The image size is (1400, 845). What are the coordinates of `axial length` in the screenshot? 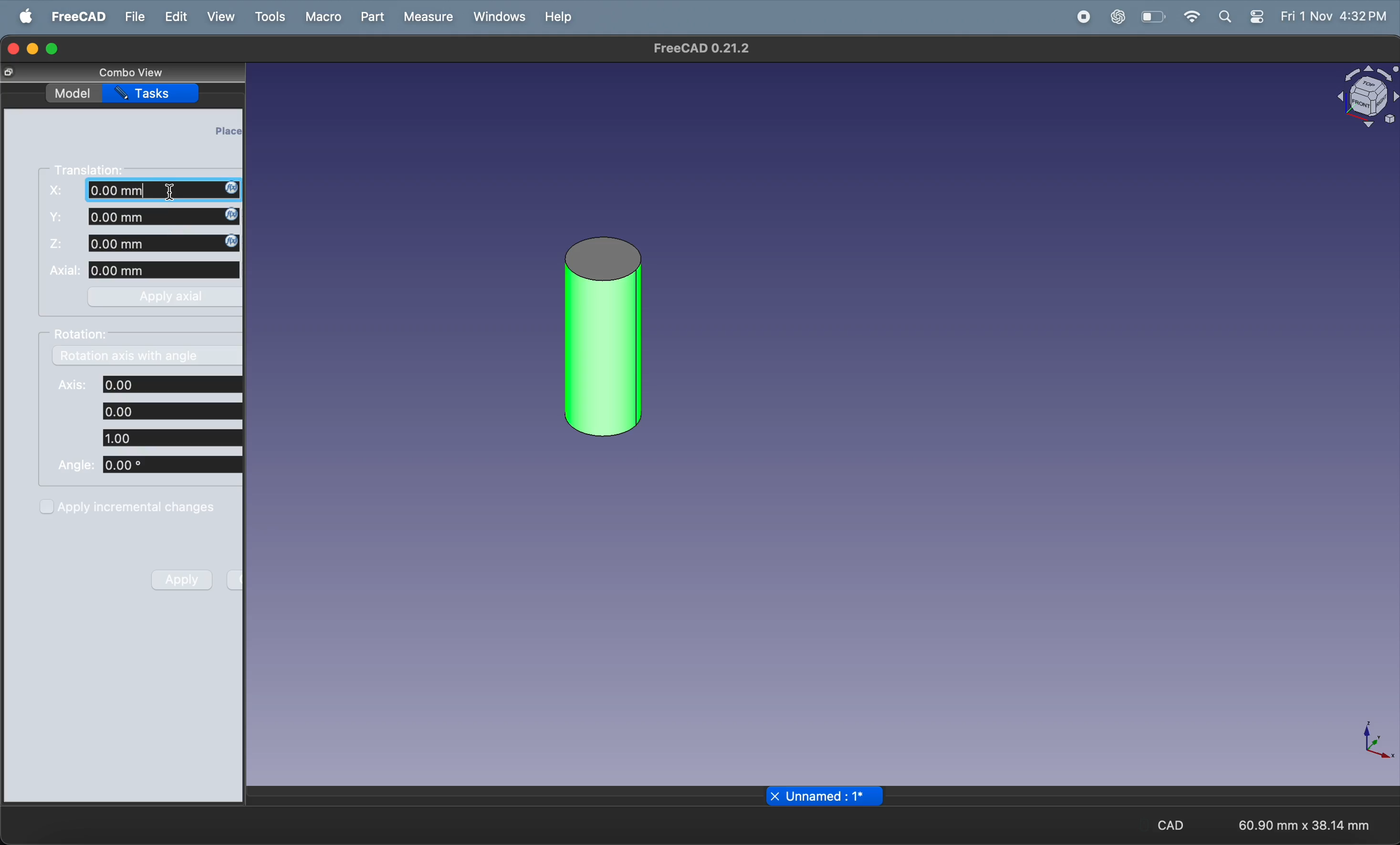 It's located at (166, 270).